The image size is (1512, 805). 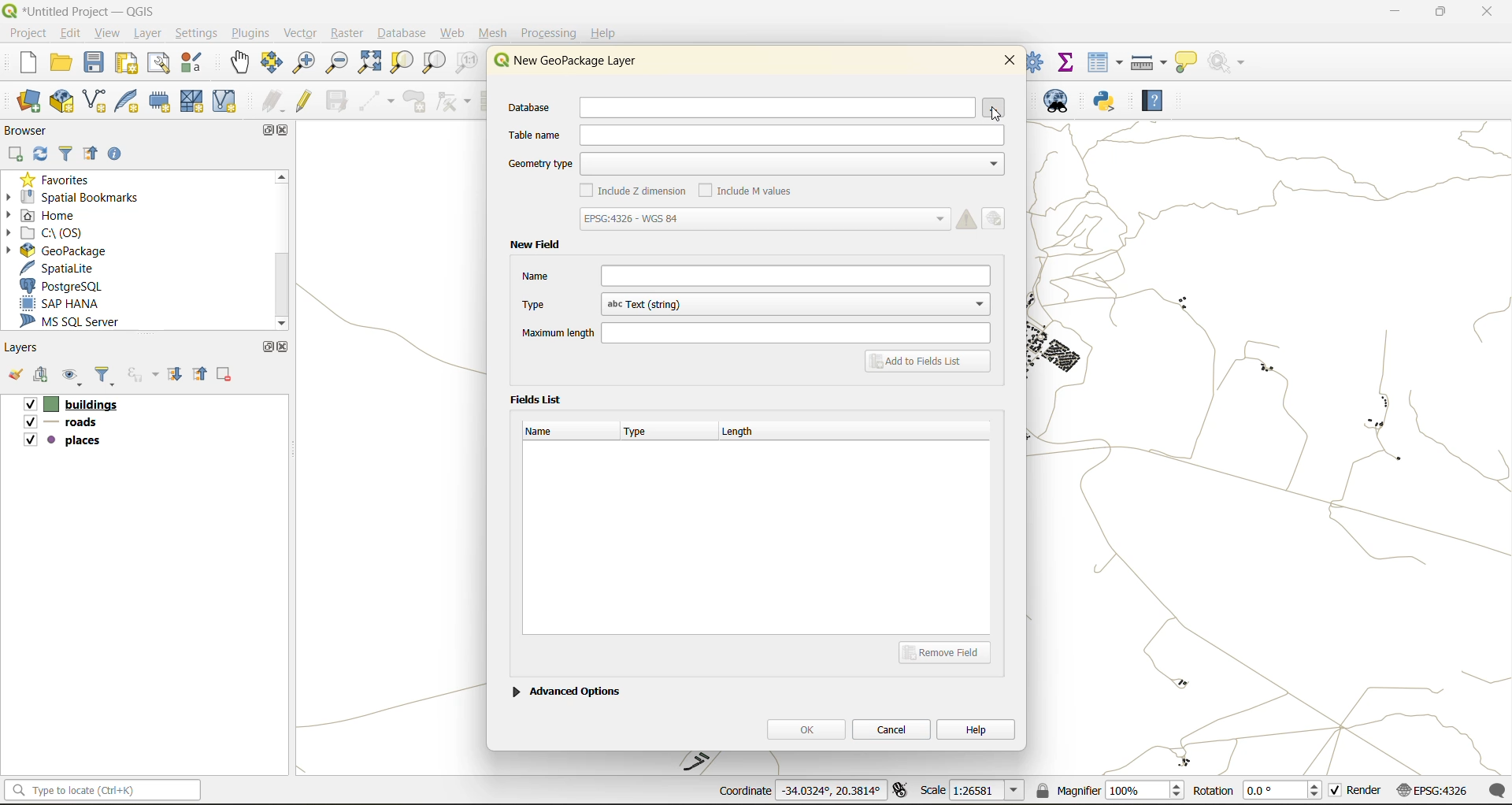 I want to click on measure line, so click(x=1151, y=62).